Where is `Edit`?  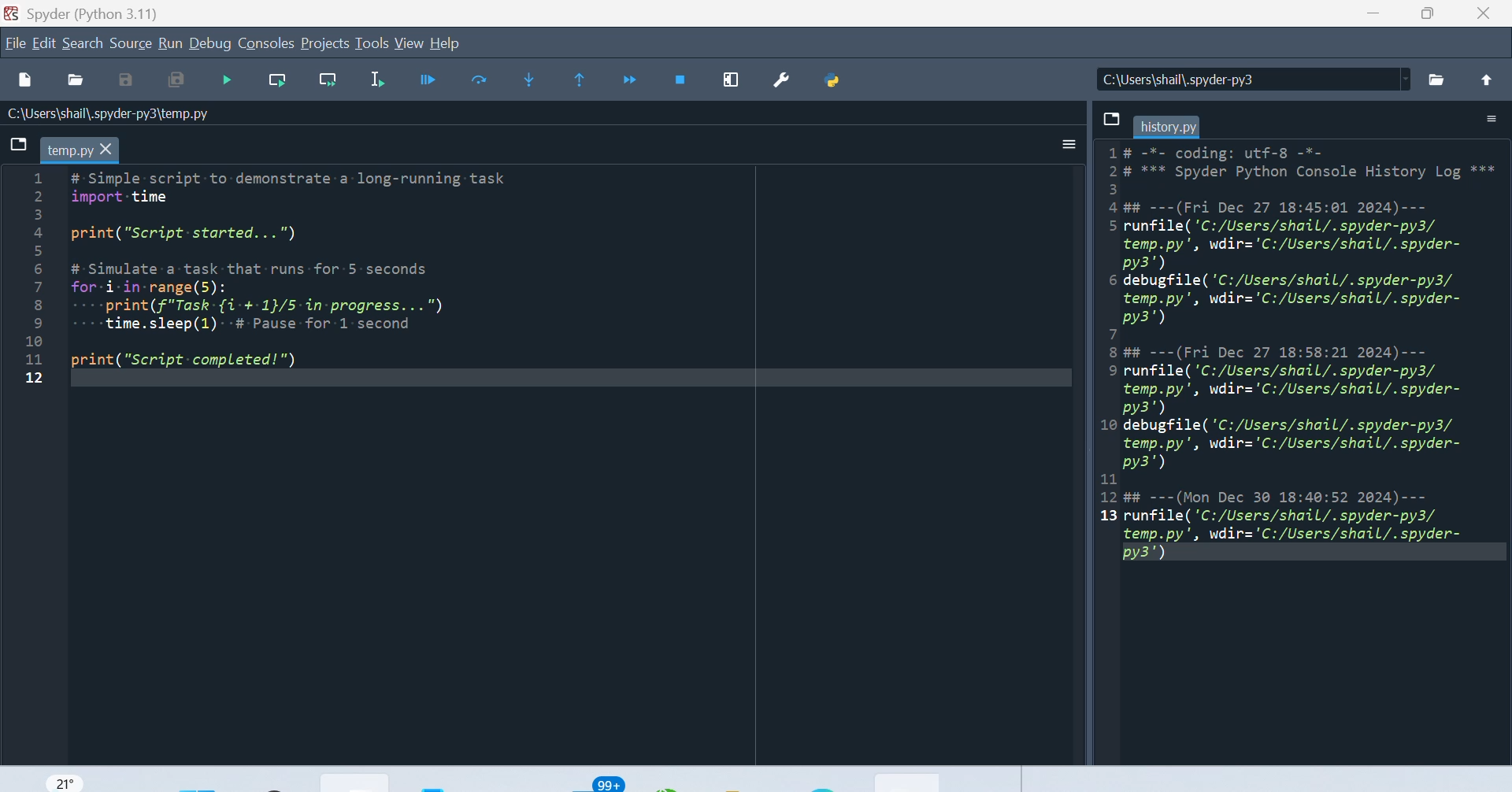 Edit is located at coordinates (43, 43).